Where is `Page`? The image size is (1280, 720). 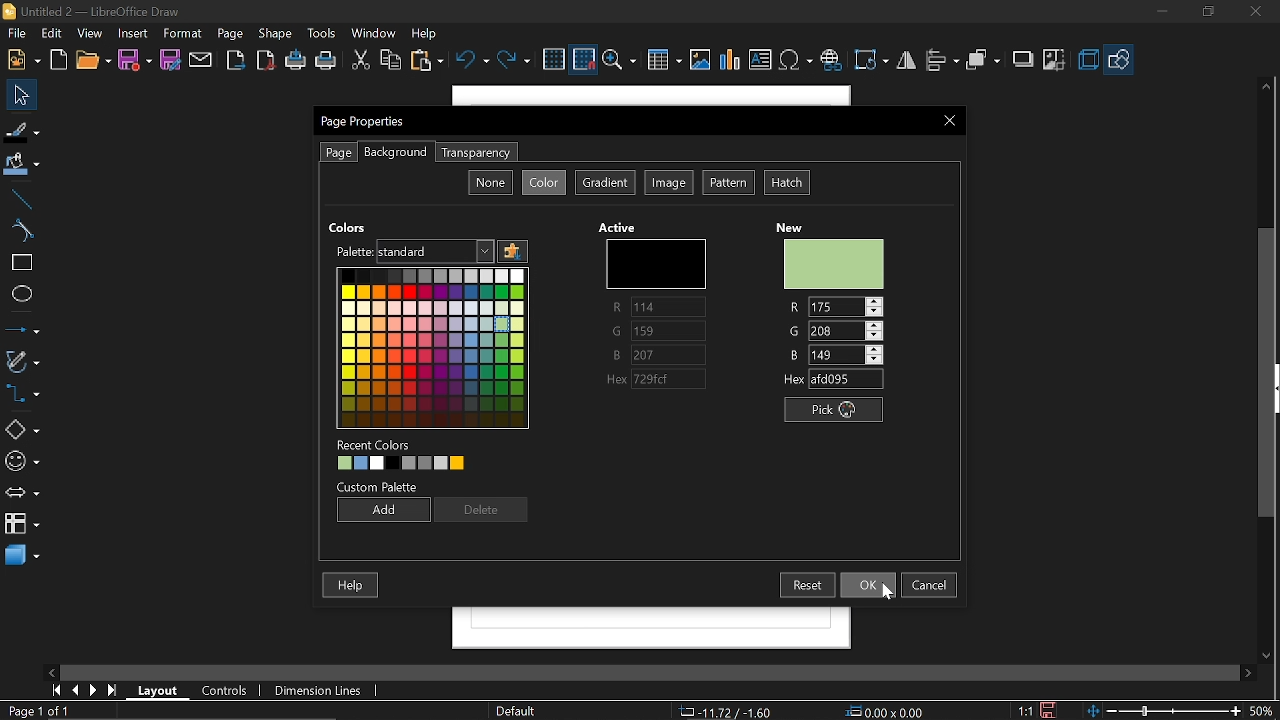
Page is located at coordinates (230, 35).